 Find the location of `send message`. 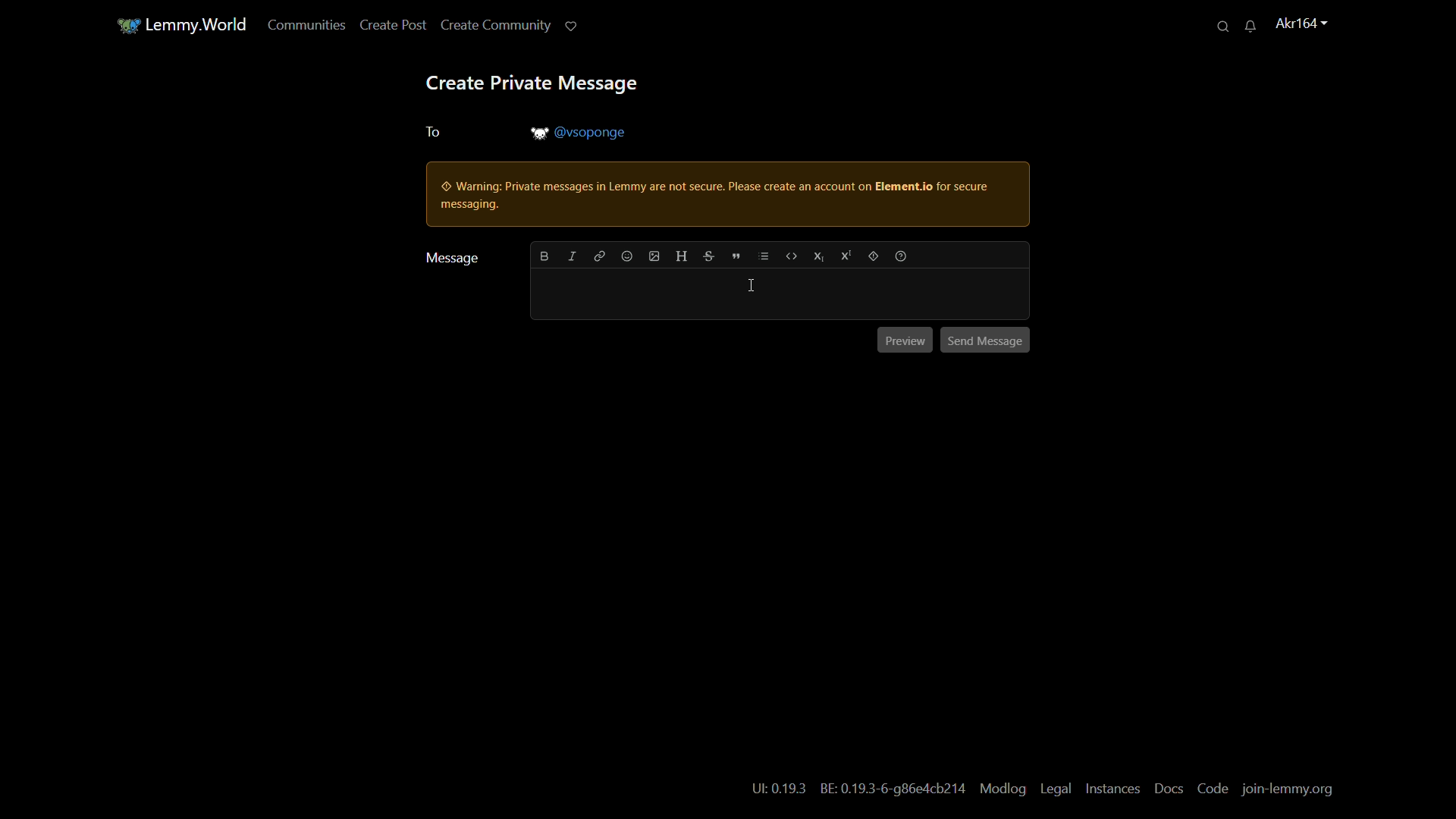

send message is located at coordinates (985, 339).